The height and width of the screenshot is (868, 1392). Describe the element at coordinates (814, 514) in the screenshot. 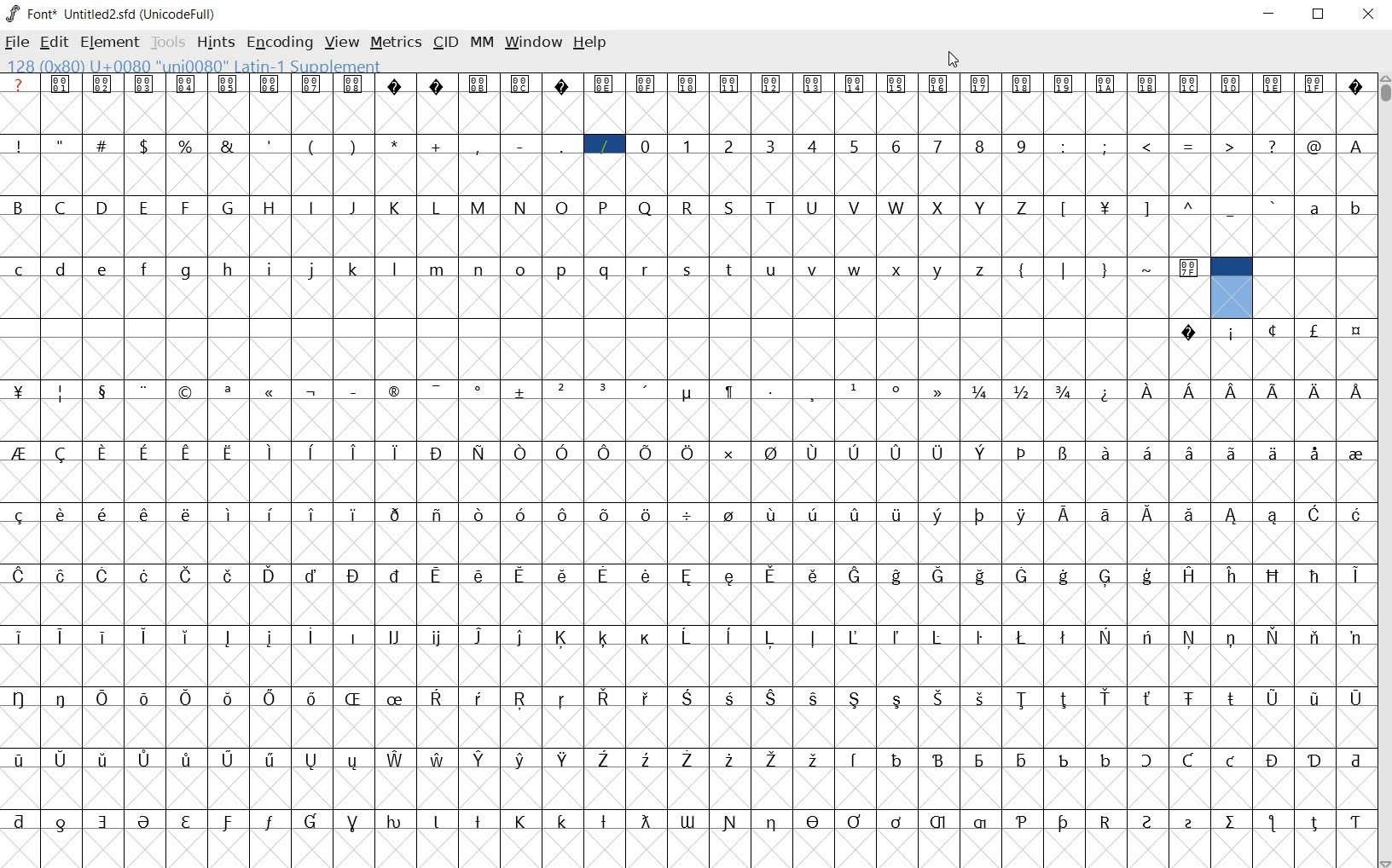

I see `Symbol` at that location.